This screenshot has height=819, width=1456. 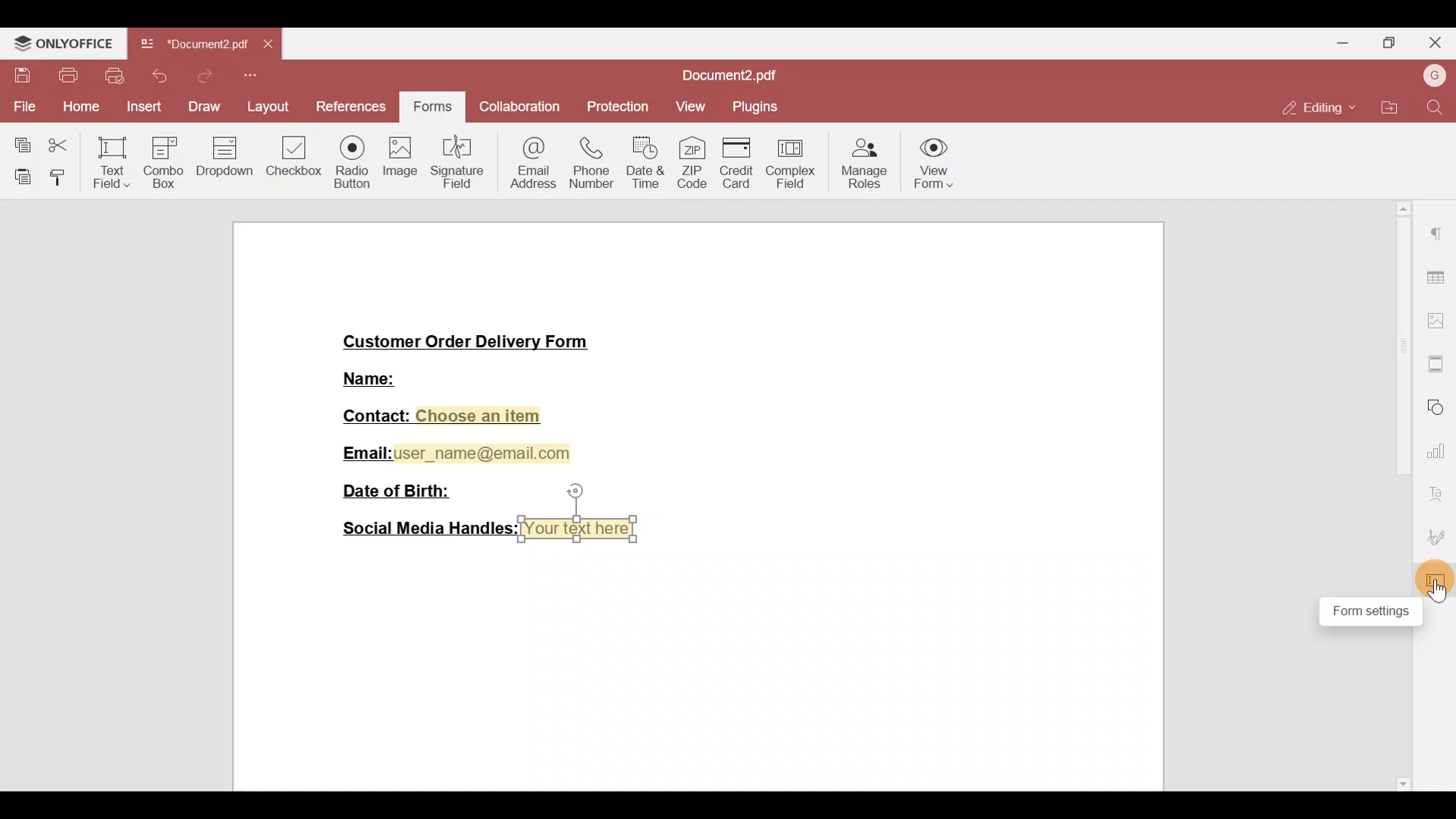 What do you see at coordinates (1442, 493) in the screenshot?
I see `Font settings` at bounding box center [1442, 493].